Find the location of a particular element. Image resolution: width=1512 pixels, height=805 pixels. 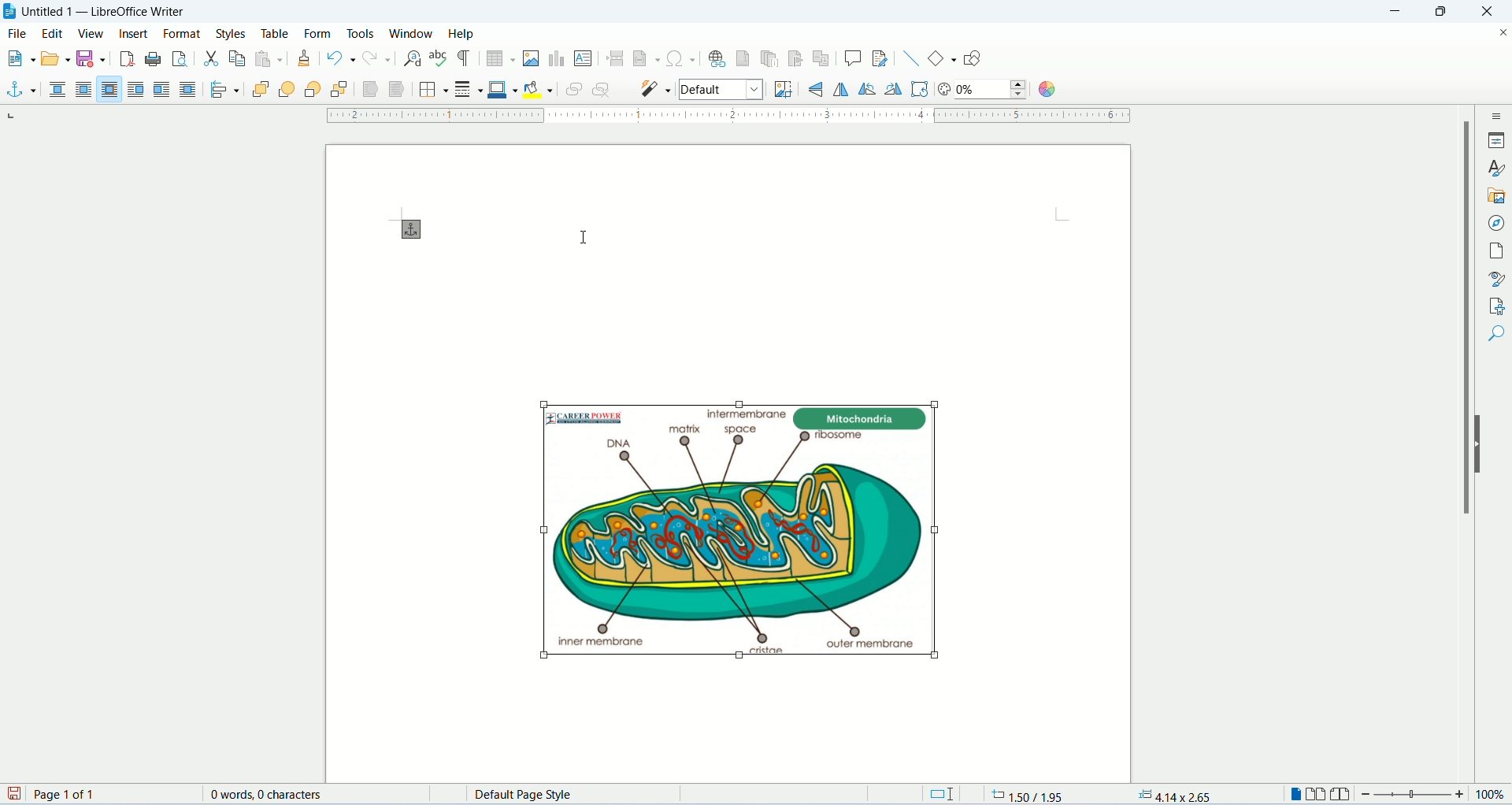

file is located at coordinates (19, 32).